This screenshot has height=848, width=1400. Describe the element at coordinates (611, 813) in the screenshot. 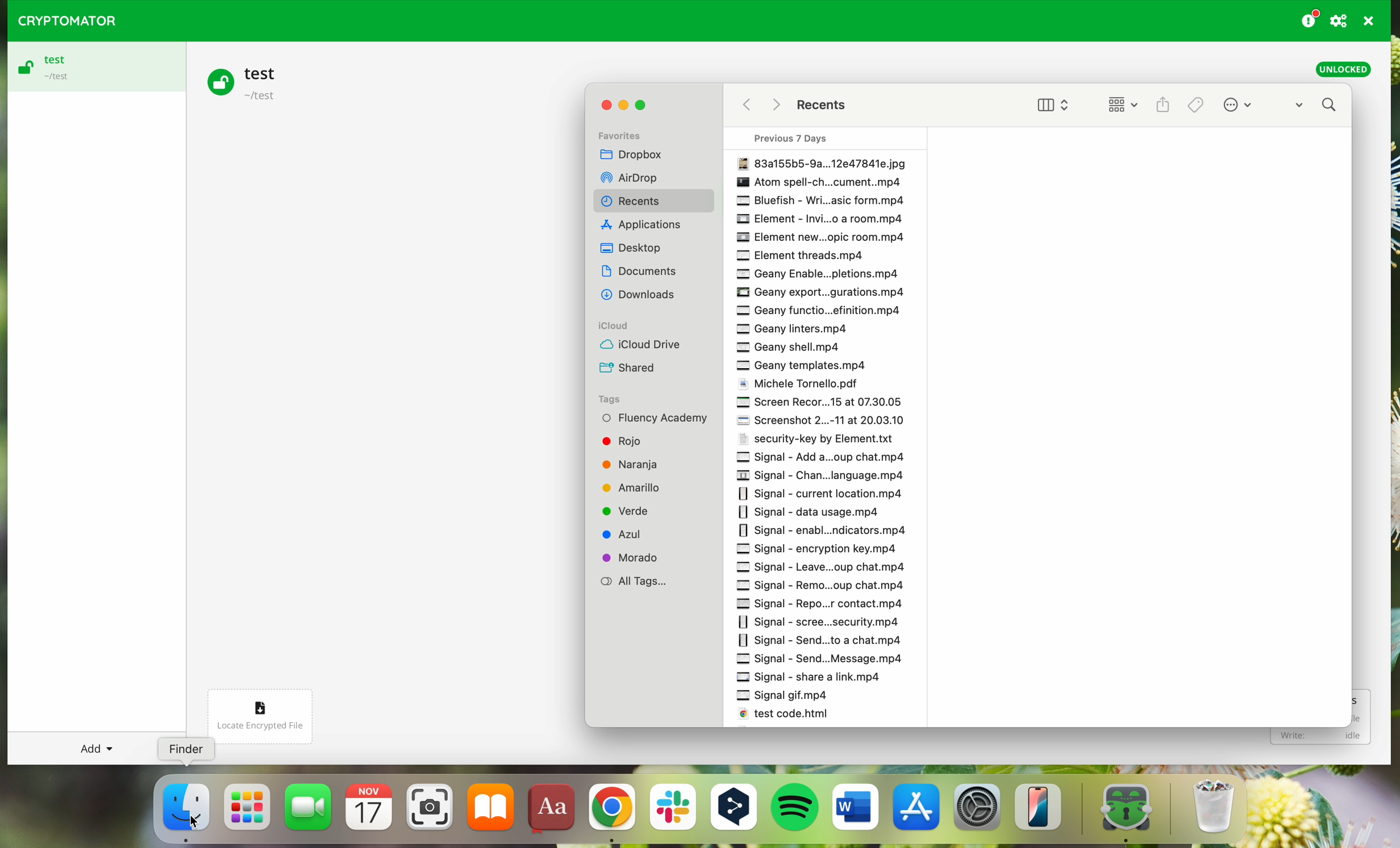

I see `Google Chrome` at that location.